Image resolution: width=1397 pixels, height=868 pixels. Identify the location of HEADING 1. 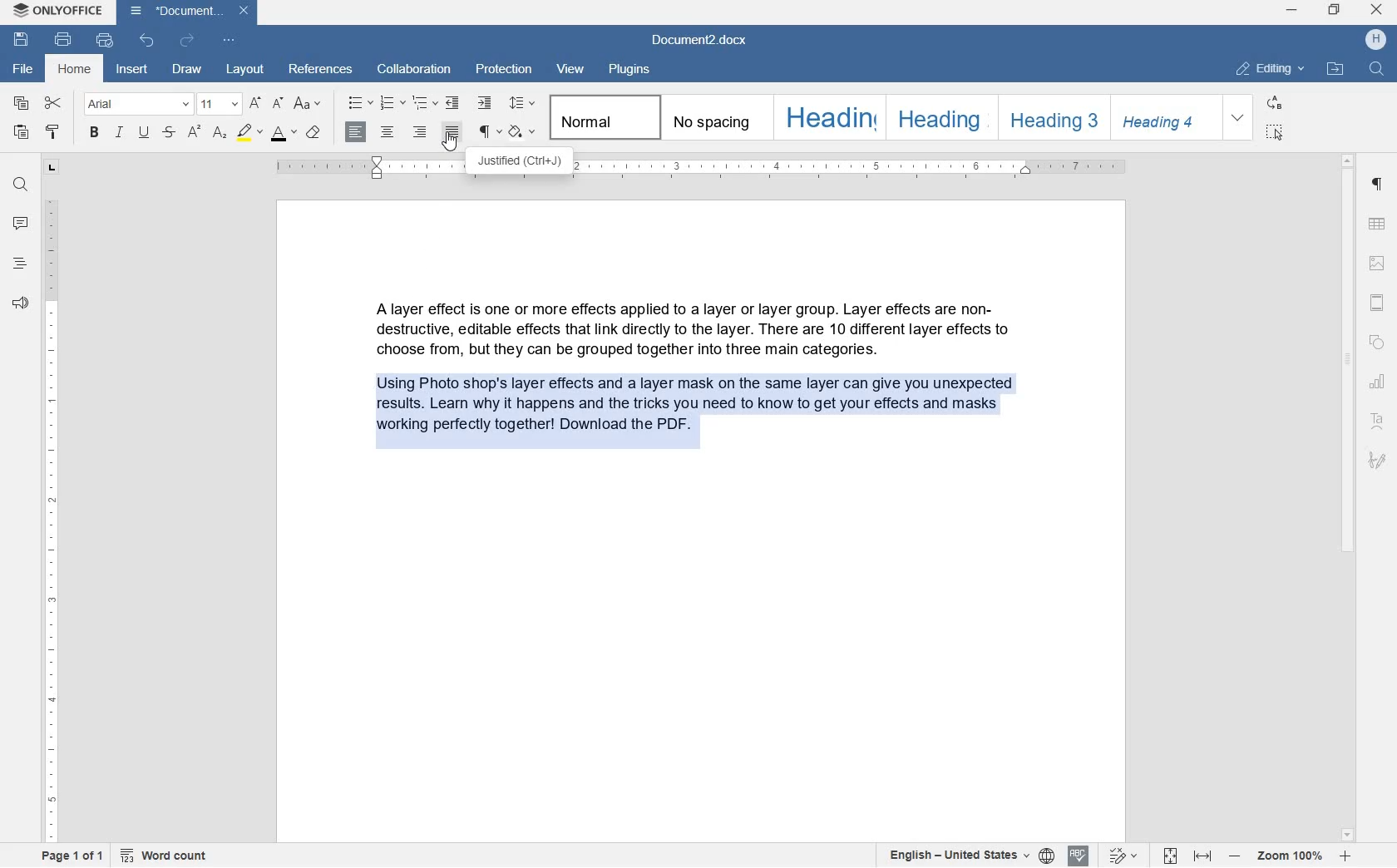
(827, 118).